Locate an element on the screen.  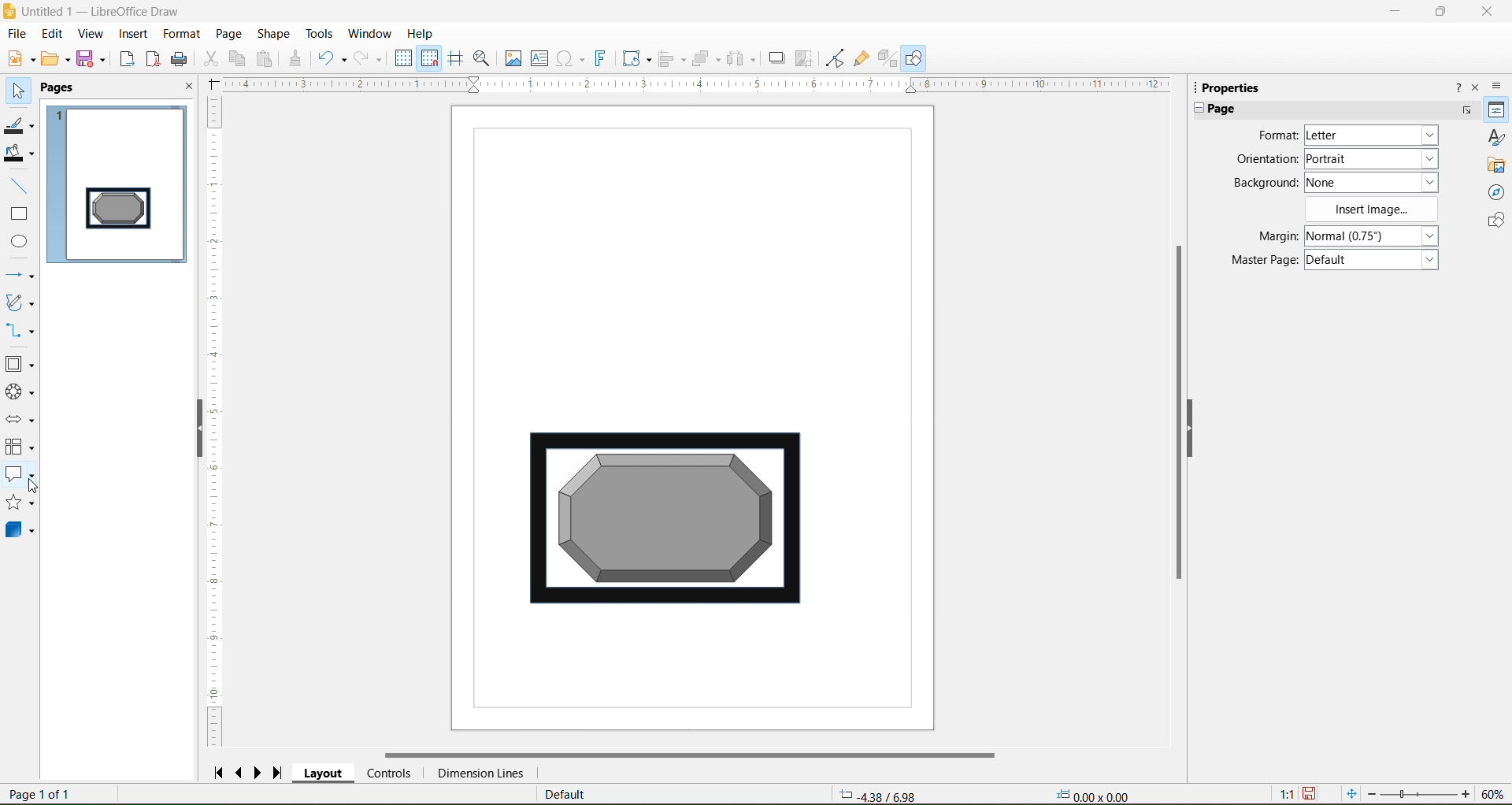
Insert is located at coordinates (132, 34).